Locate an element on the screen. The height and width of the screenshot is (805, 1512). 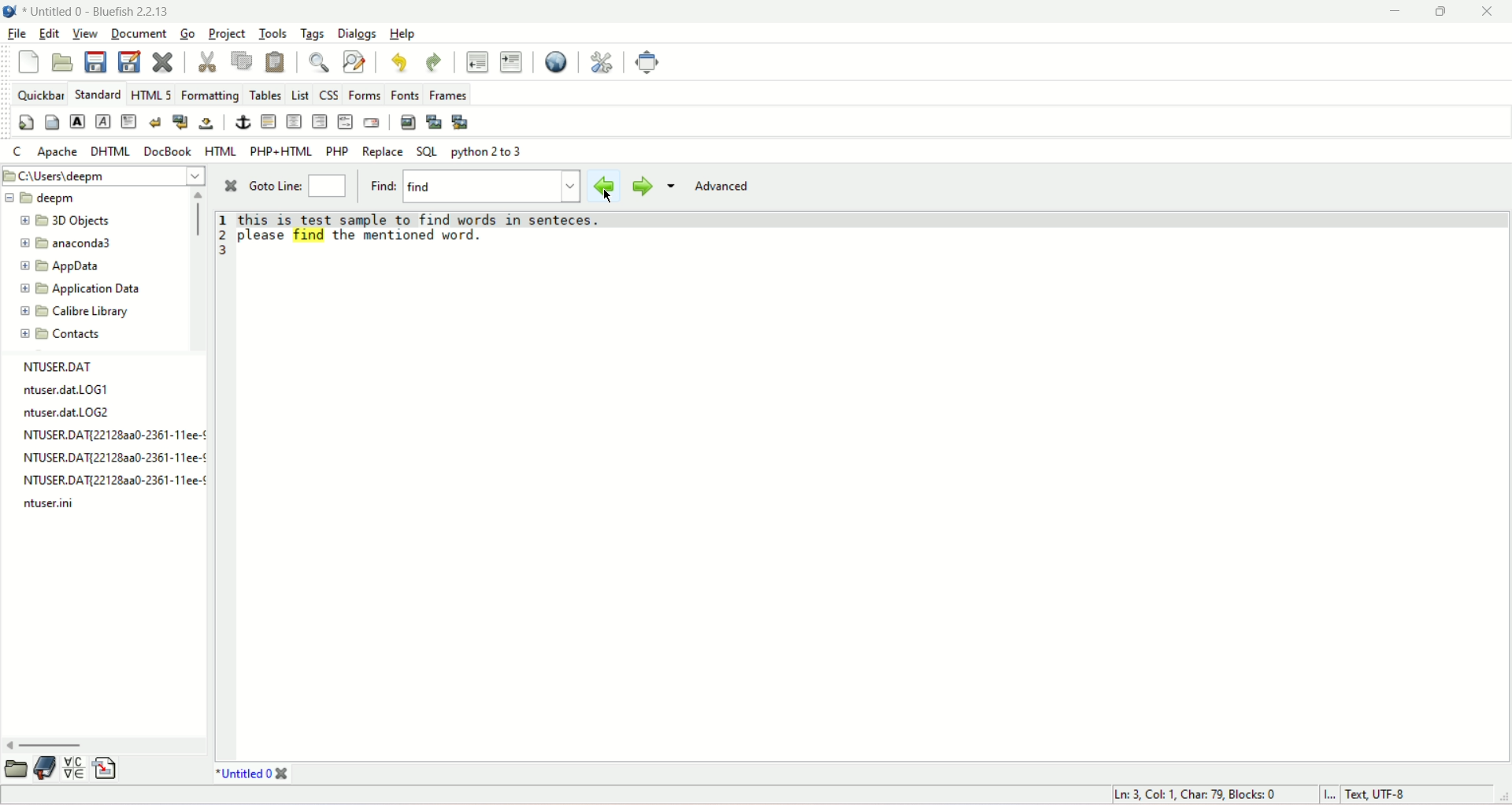
horizontal rule is located at coordinates (268, 122).